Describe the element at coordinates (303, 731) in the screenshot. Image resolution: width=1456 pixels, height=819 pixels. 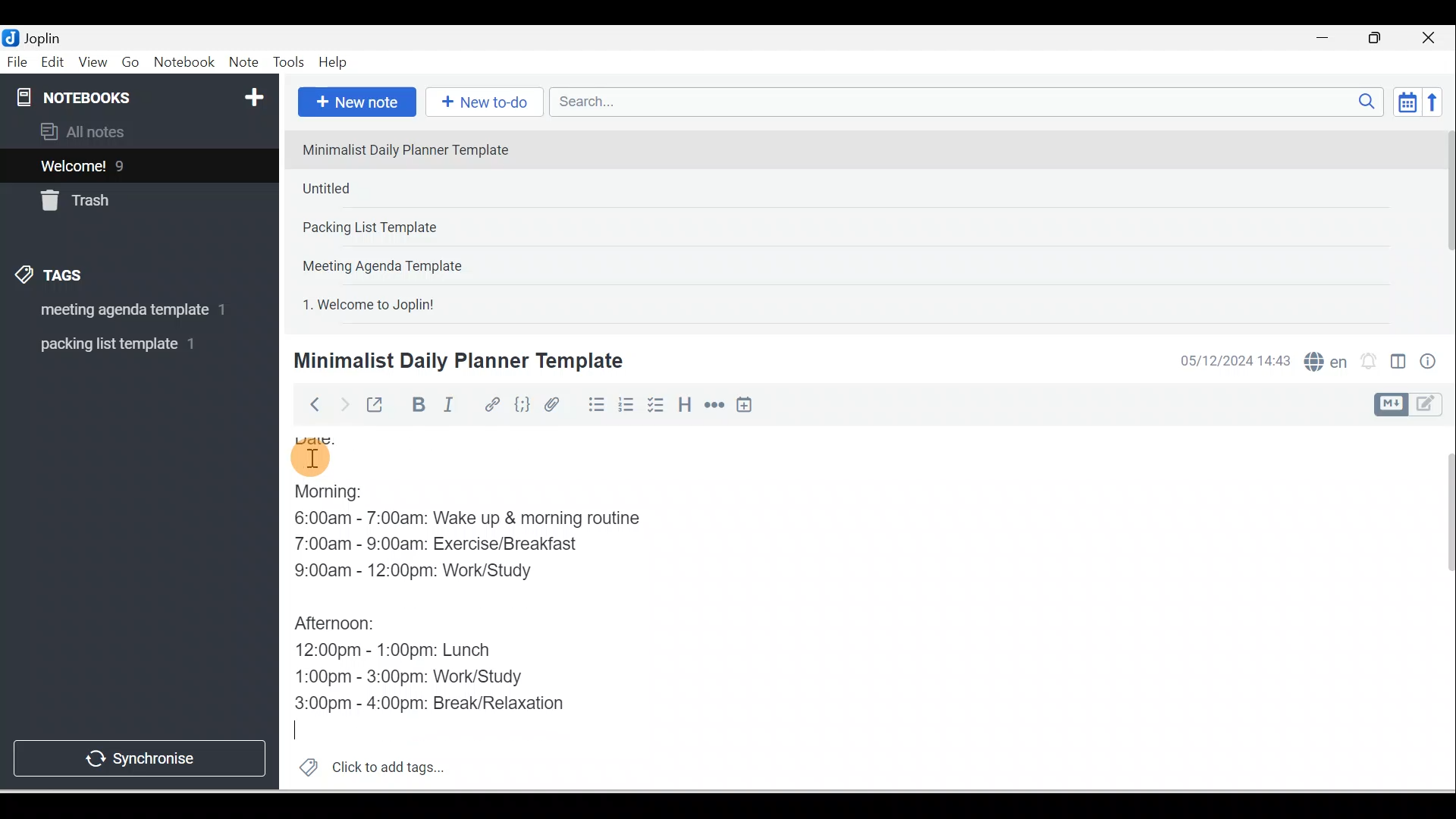
I see `Cursor` at that location.